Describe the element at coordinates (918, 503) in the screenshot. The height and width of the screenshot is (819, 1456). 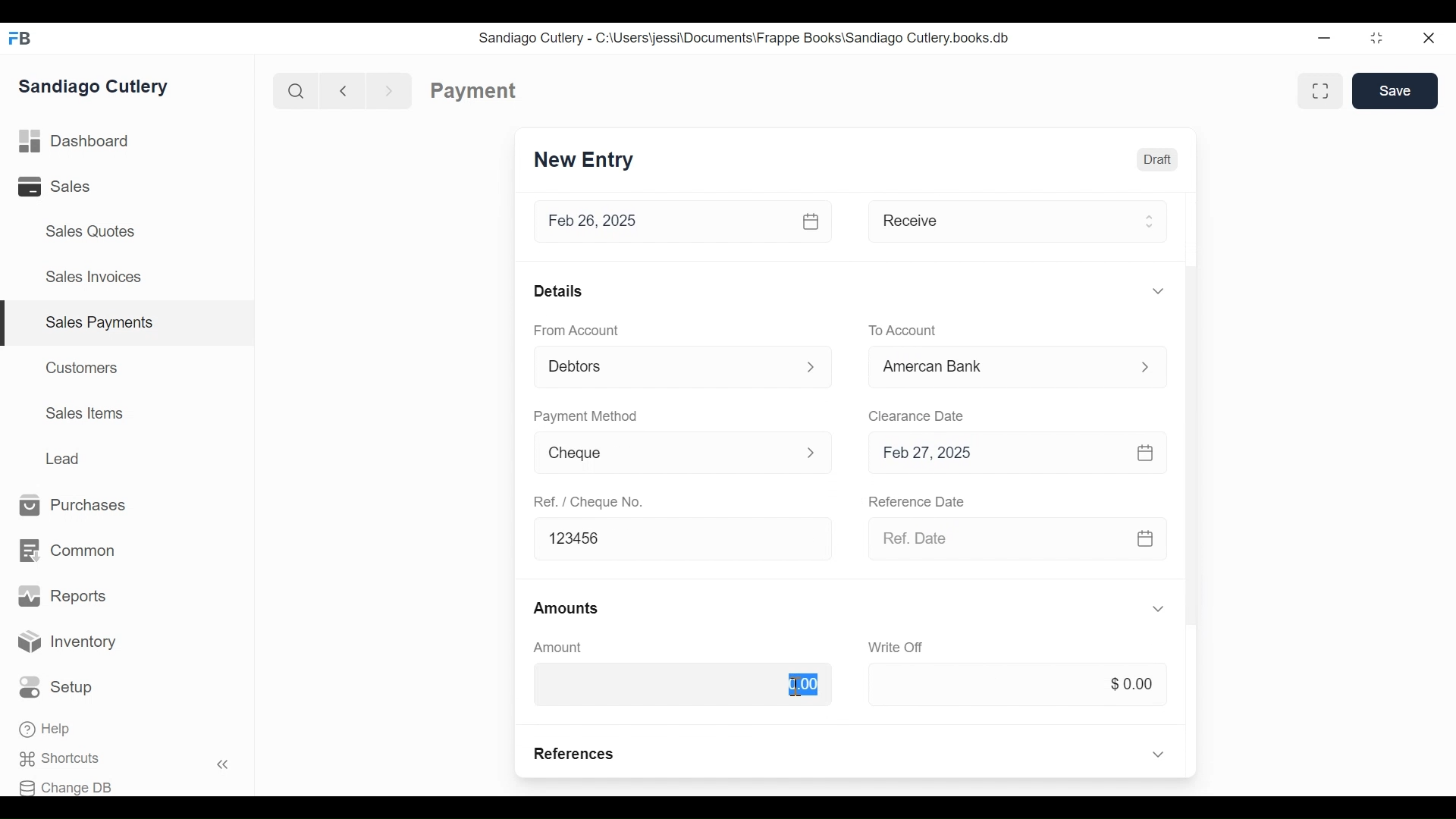
I see `Reference Date` at that location.